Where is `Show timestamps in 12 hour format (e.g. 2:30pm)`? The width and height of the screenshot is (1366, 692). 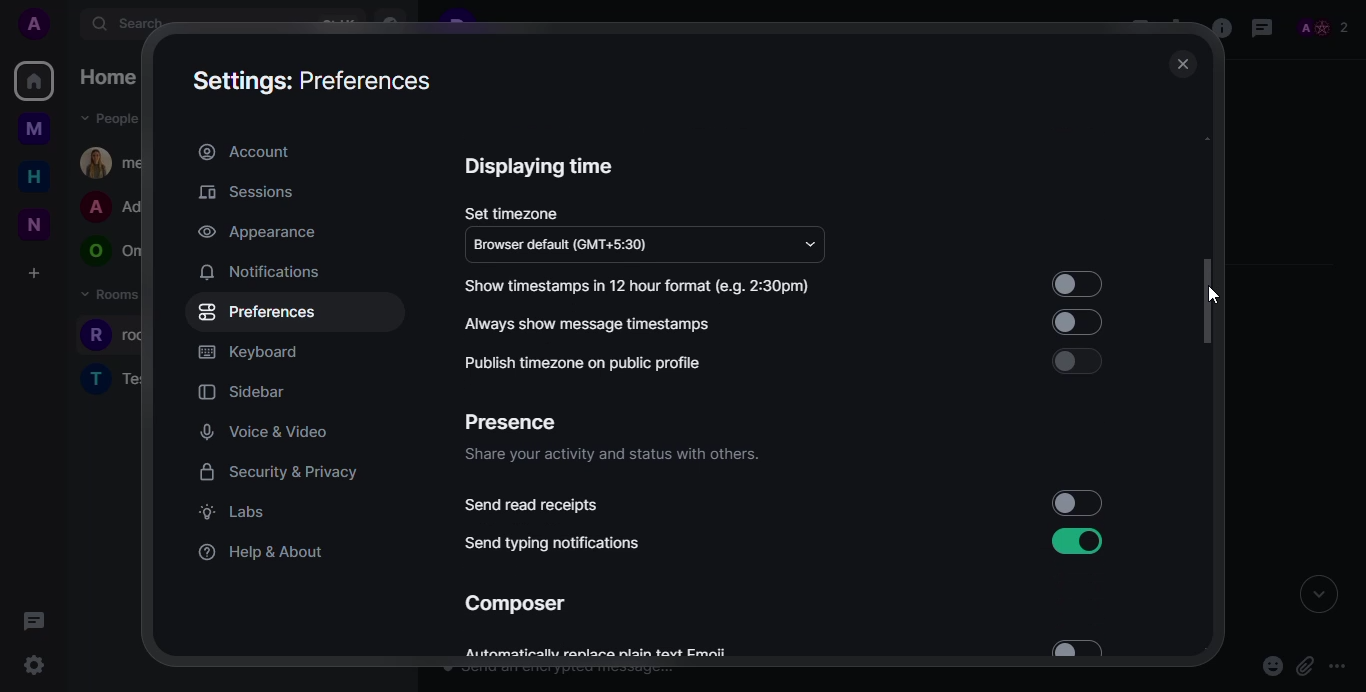
Show timestamps in 12 hour format (e.g. 2:30pm) is located at coordinates (645, 285).